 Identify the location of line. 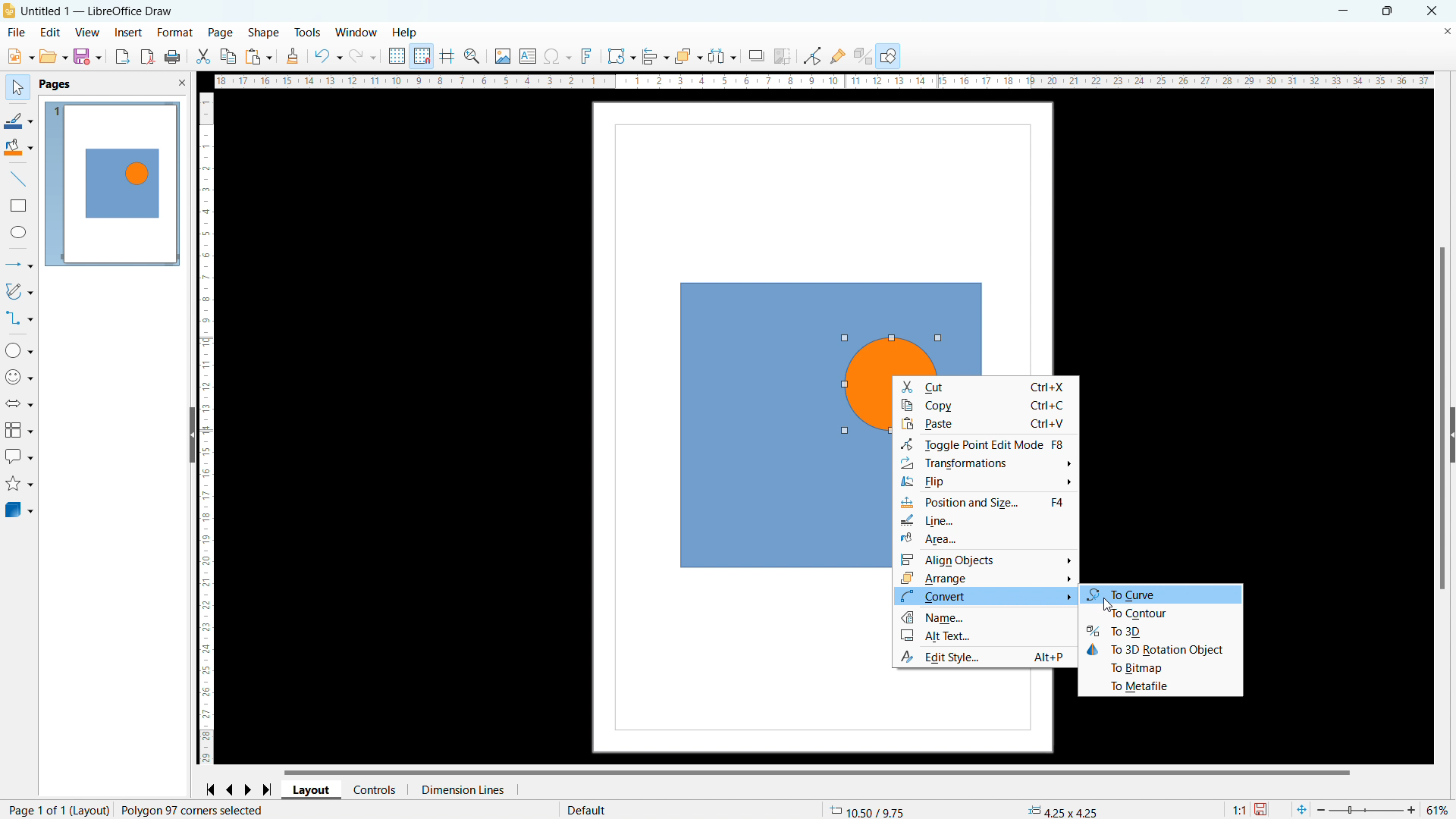
(935, 519).